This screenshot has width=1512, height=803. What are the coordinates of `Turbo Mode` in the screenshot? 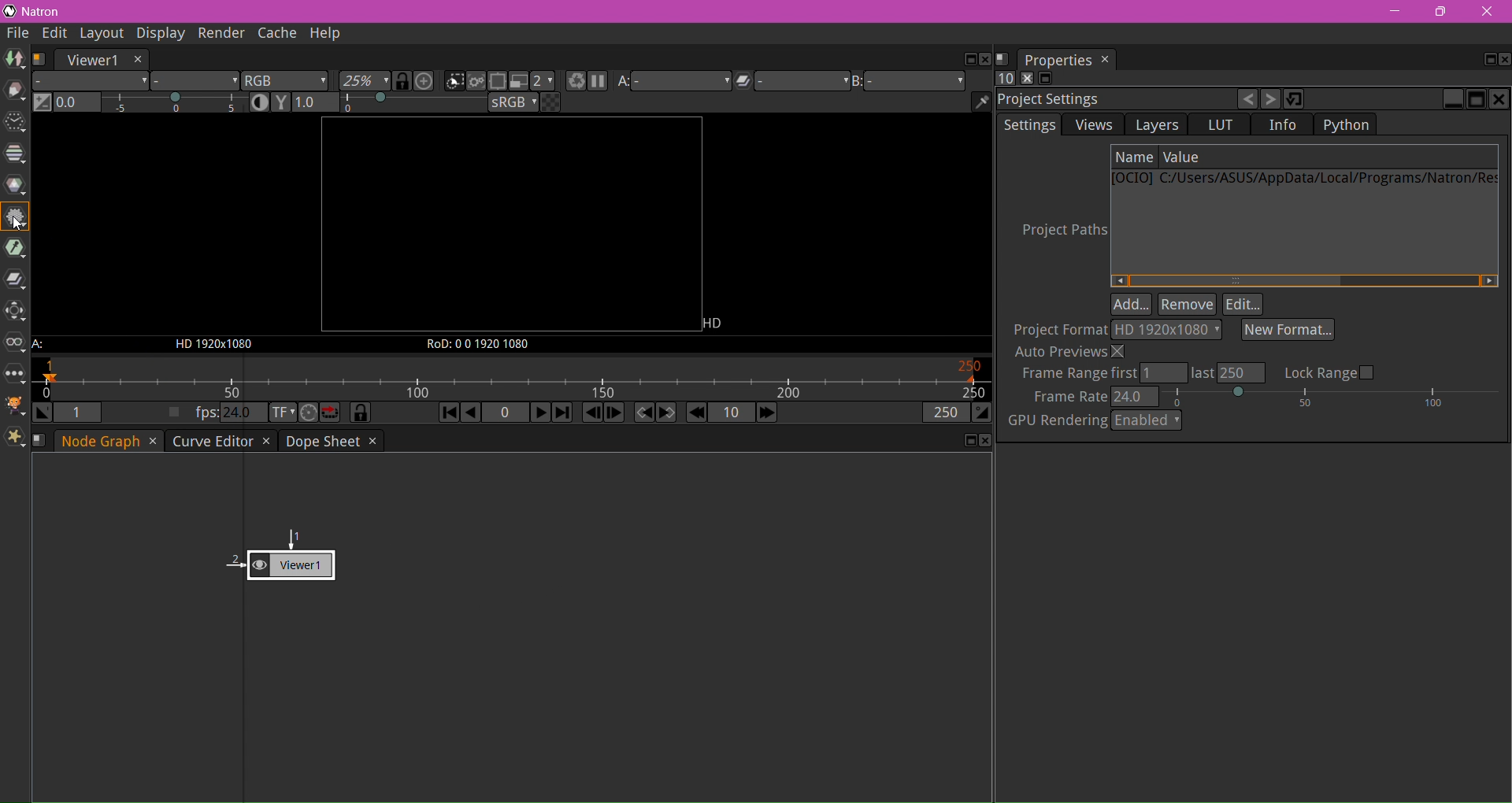 It's located at (309, 413).